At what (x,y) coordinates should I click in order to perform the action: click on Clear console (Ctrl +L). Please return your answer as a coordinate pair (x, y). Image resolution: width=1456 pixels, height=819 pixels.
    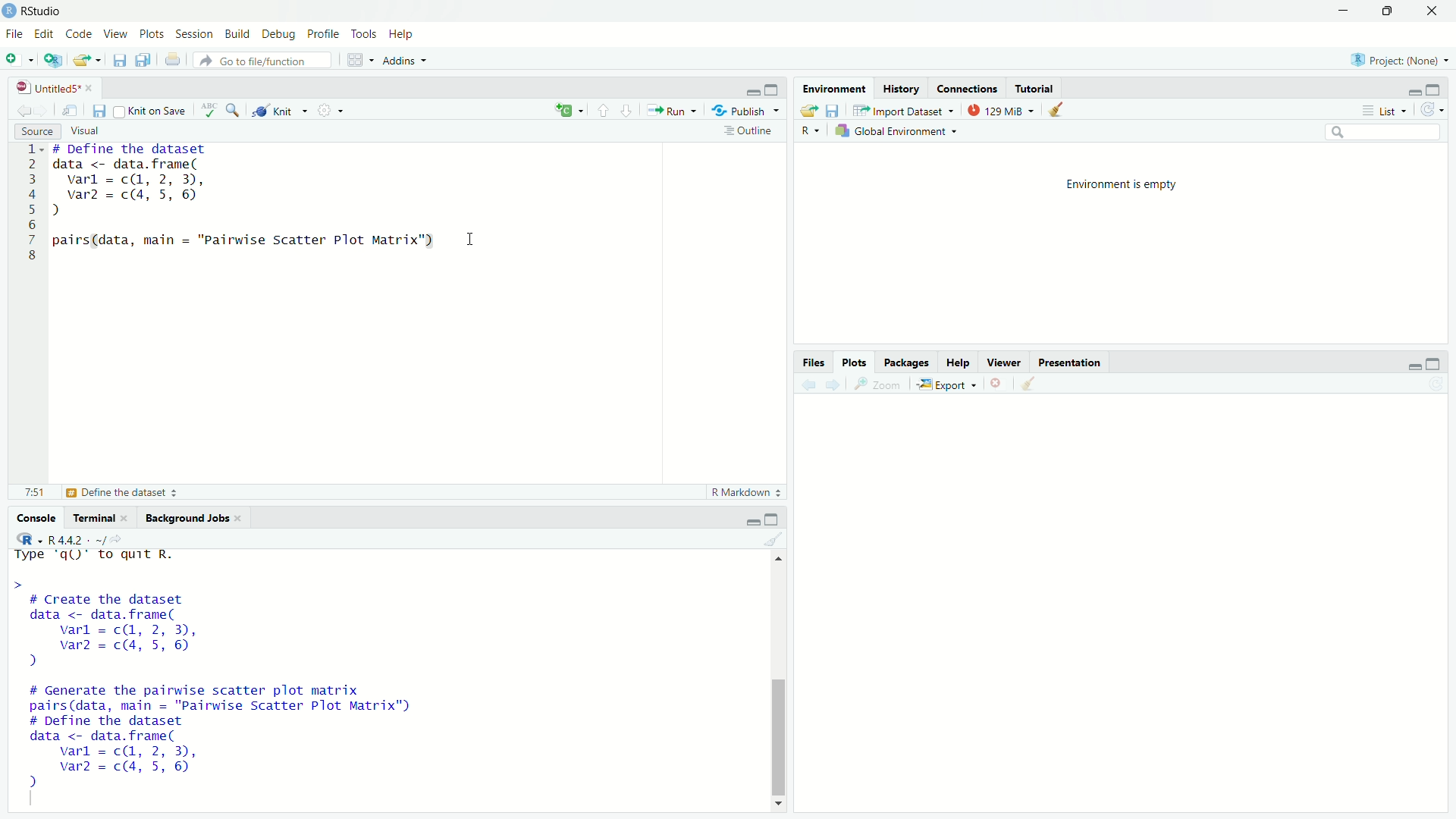
    Looking at the image, I should click on (1056, 108).